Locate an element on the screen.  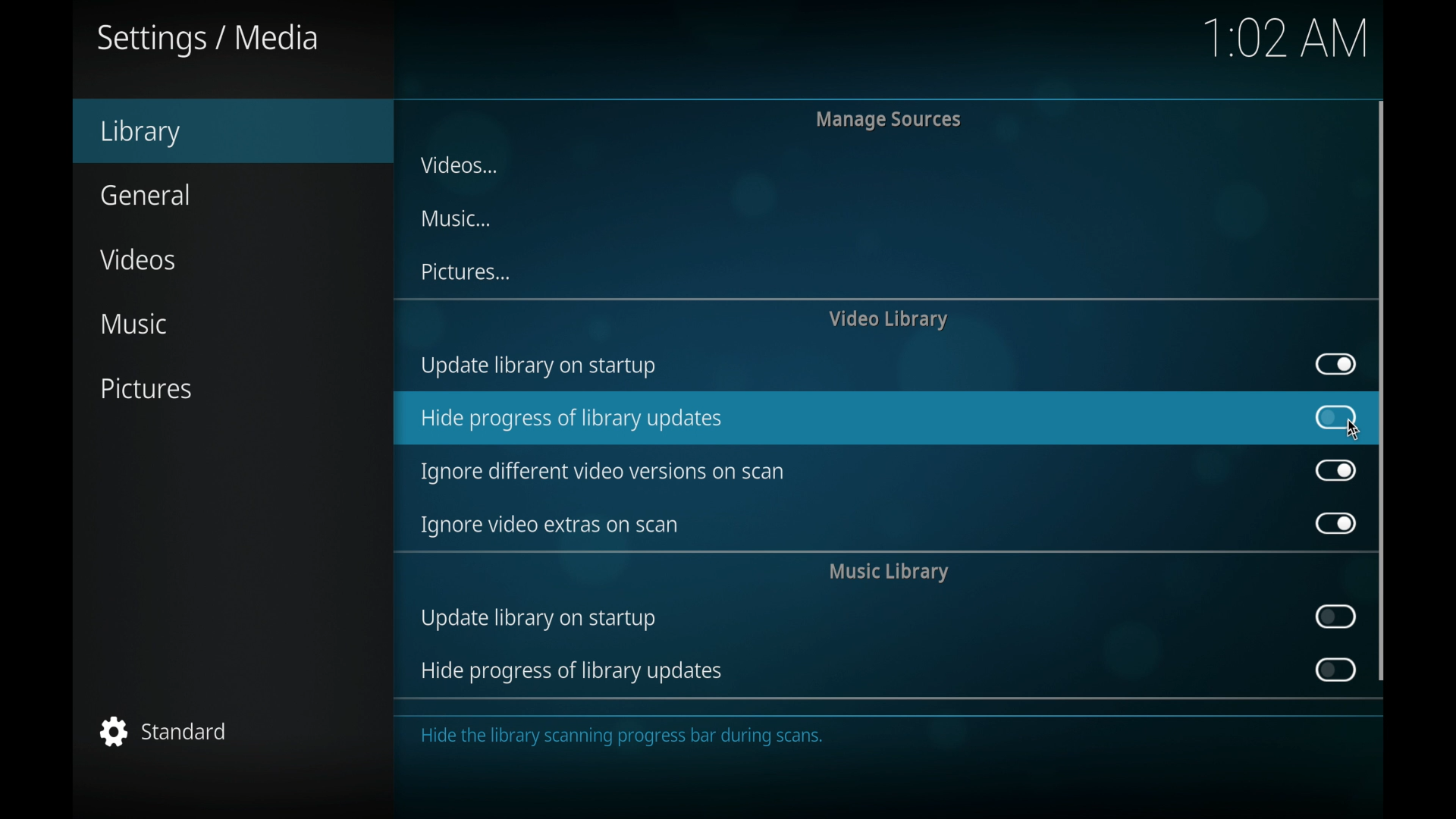
library is located at coordinates (143, 133).